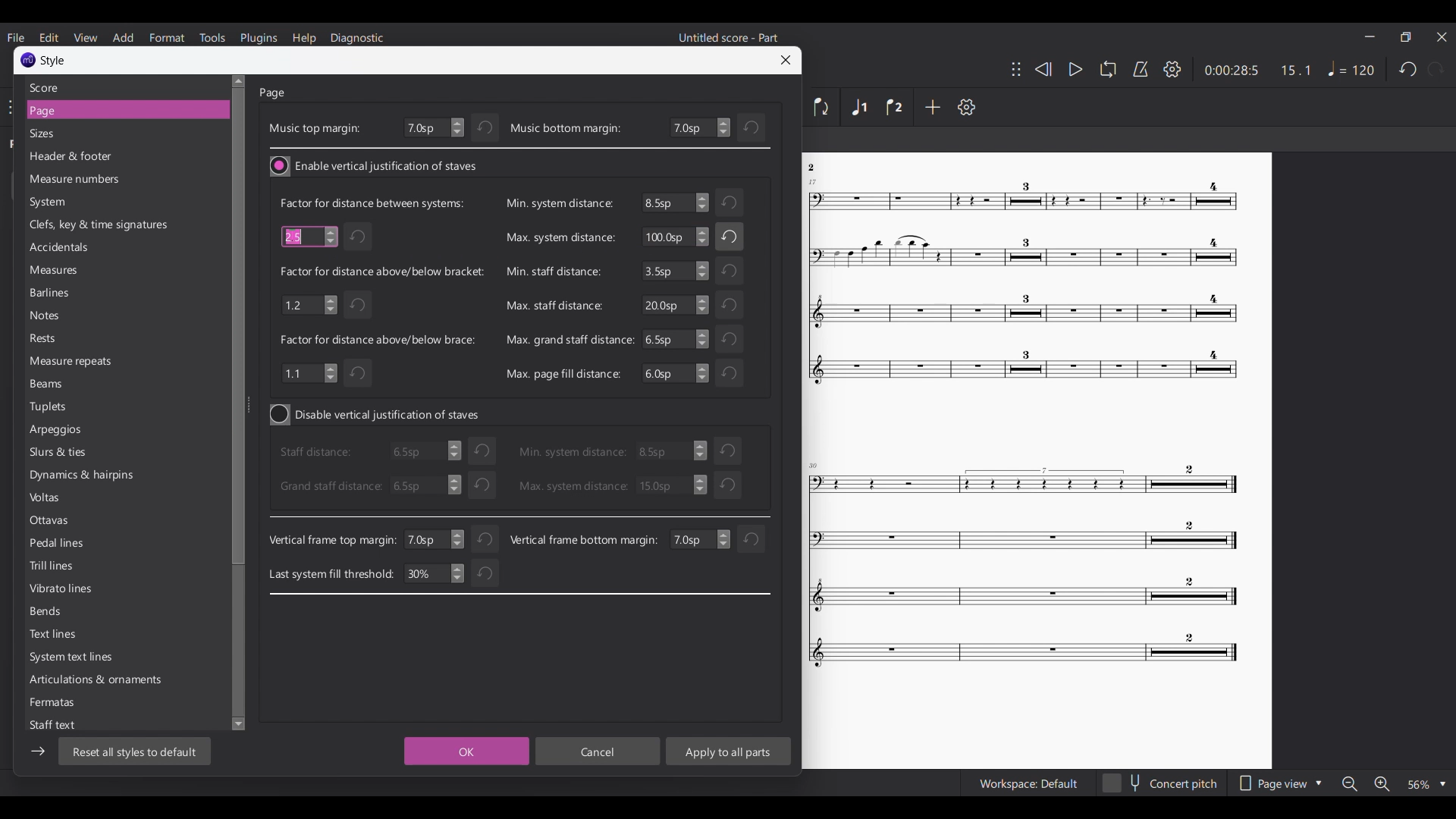 The image size is (1456, 819). I want to click on Dynamics & haipins, so click(84, 479).